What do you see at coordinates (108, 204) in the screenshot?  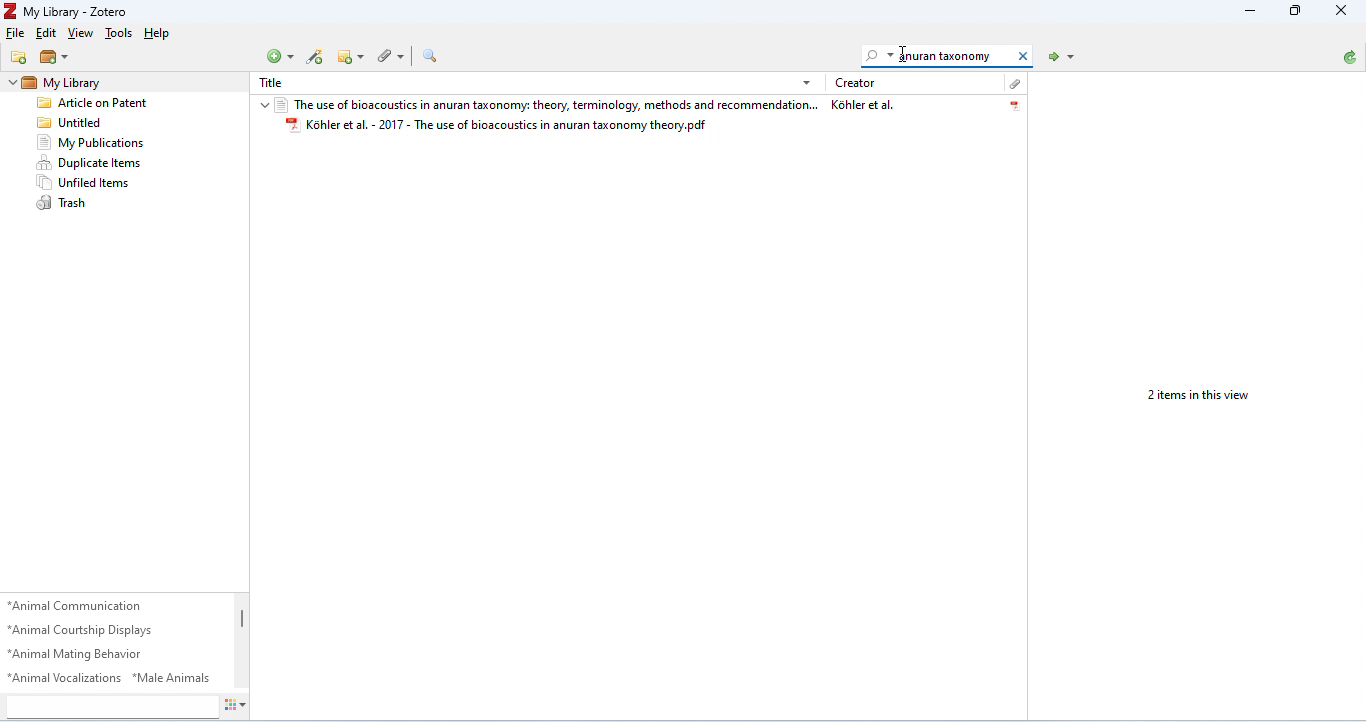 I see `Trash` at bounding box center [108, 204].